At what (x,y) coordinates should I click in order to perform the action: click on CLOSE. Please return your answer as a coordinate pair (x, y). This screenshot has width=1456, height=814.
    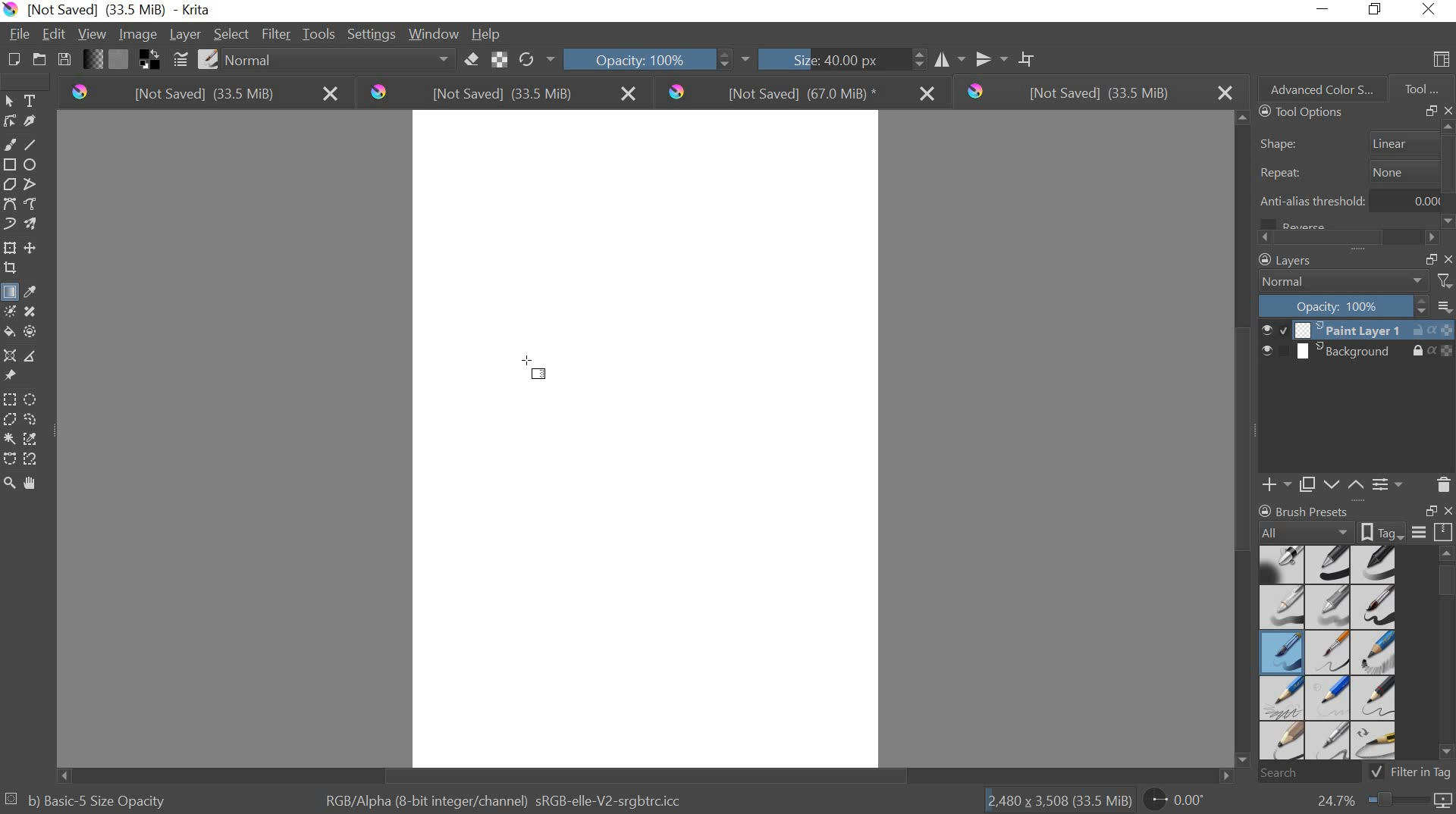
    Looking at the image, I should click on (1447, 258).